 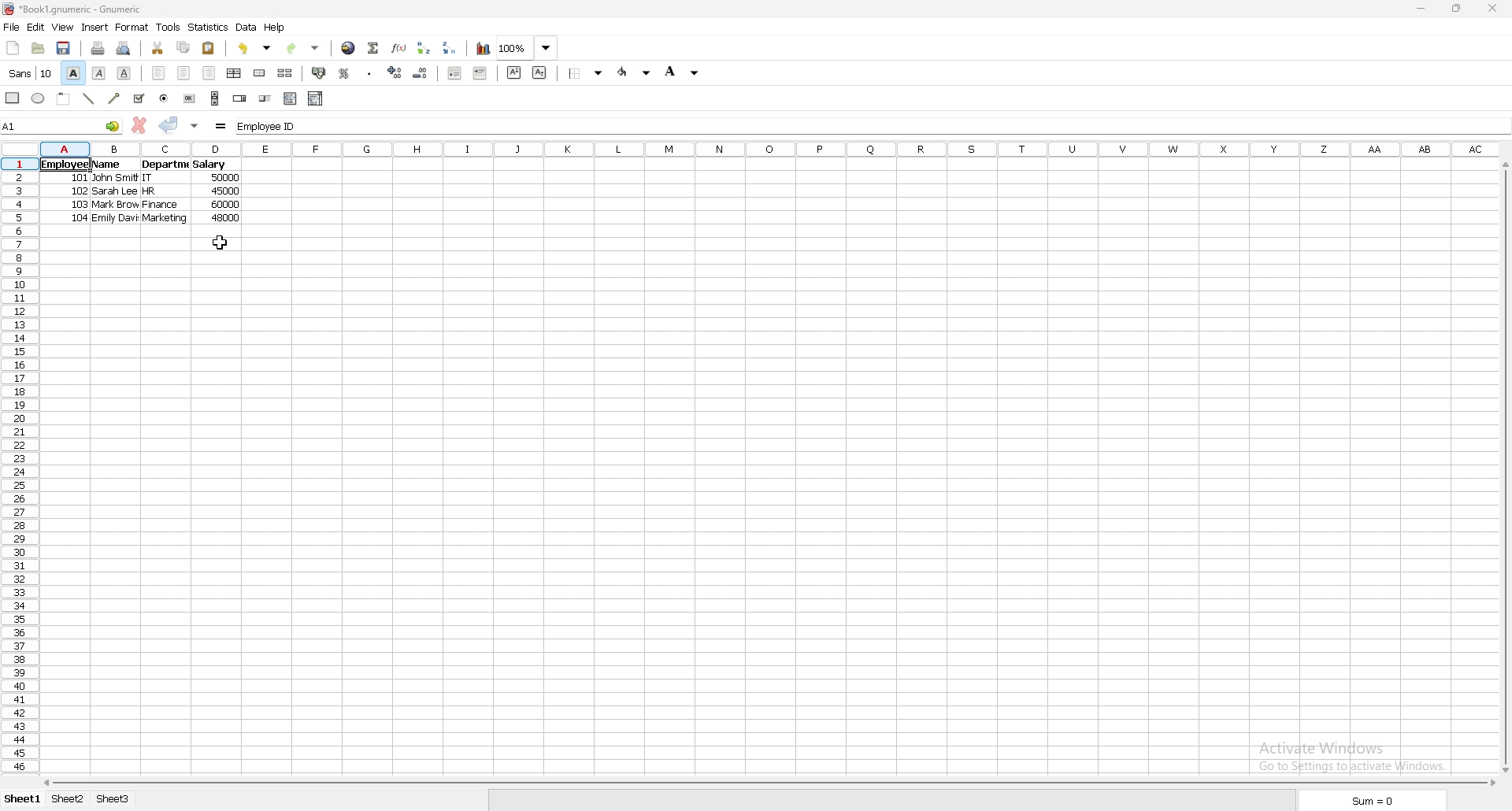 I want to click on foreground, so click(x=635, y=72).